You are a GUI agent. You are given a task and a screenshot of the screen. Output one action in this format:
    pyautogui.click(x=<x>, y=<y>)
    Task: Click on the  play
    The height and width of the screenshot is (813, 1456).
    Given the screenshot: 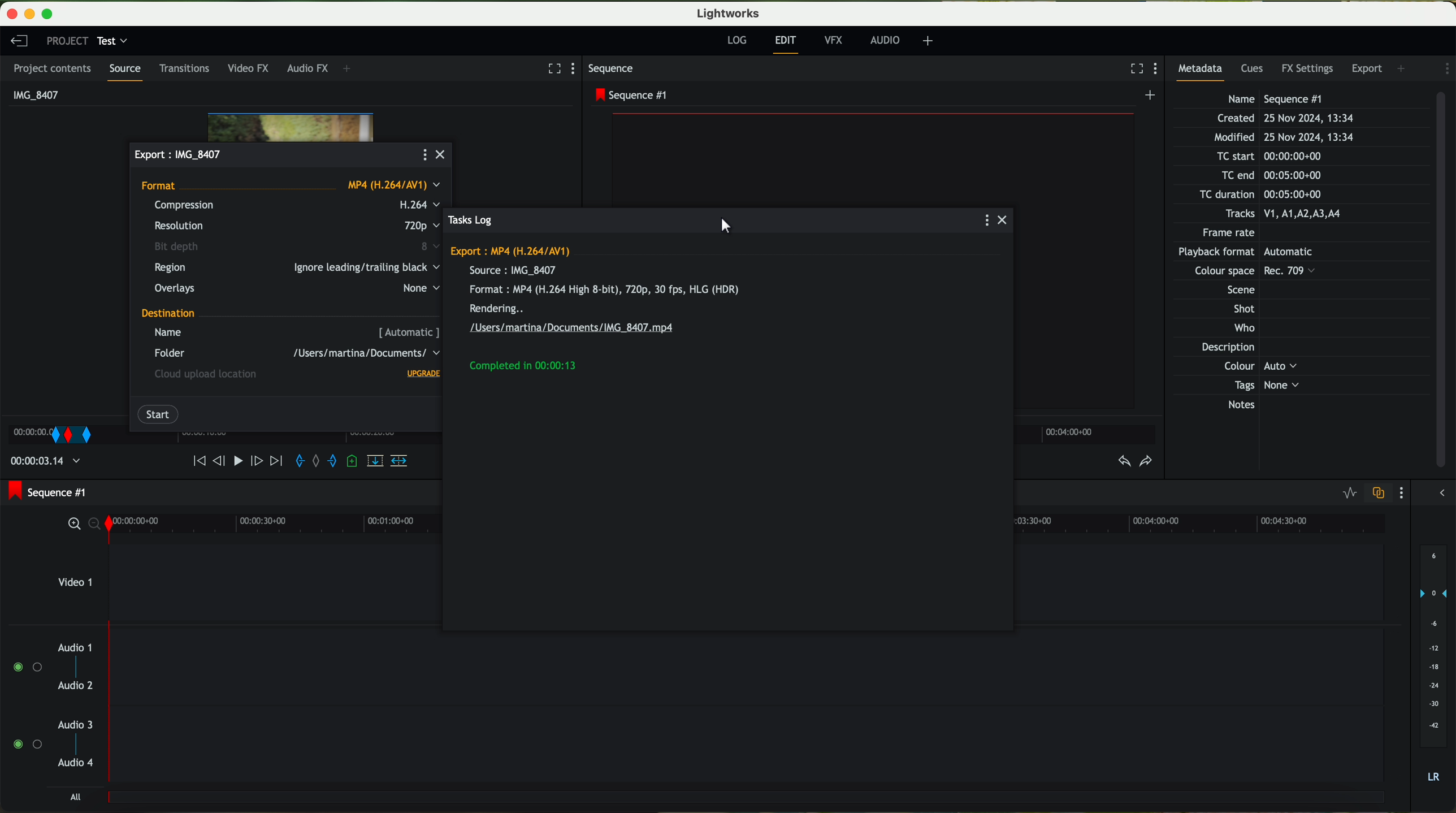 What is the action you would take?
    pyautogui.click(x=241, y=461)
    